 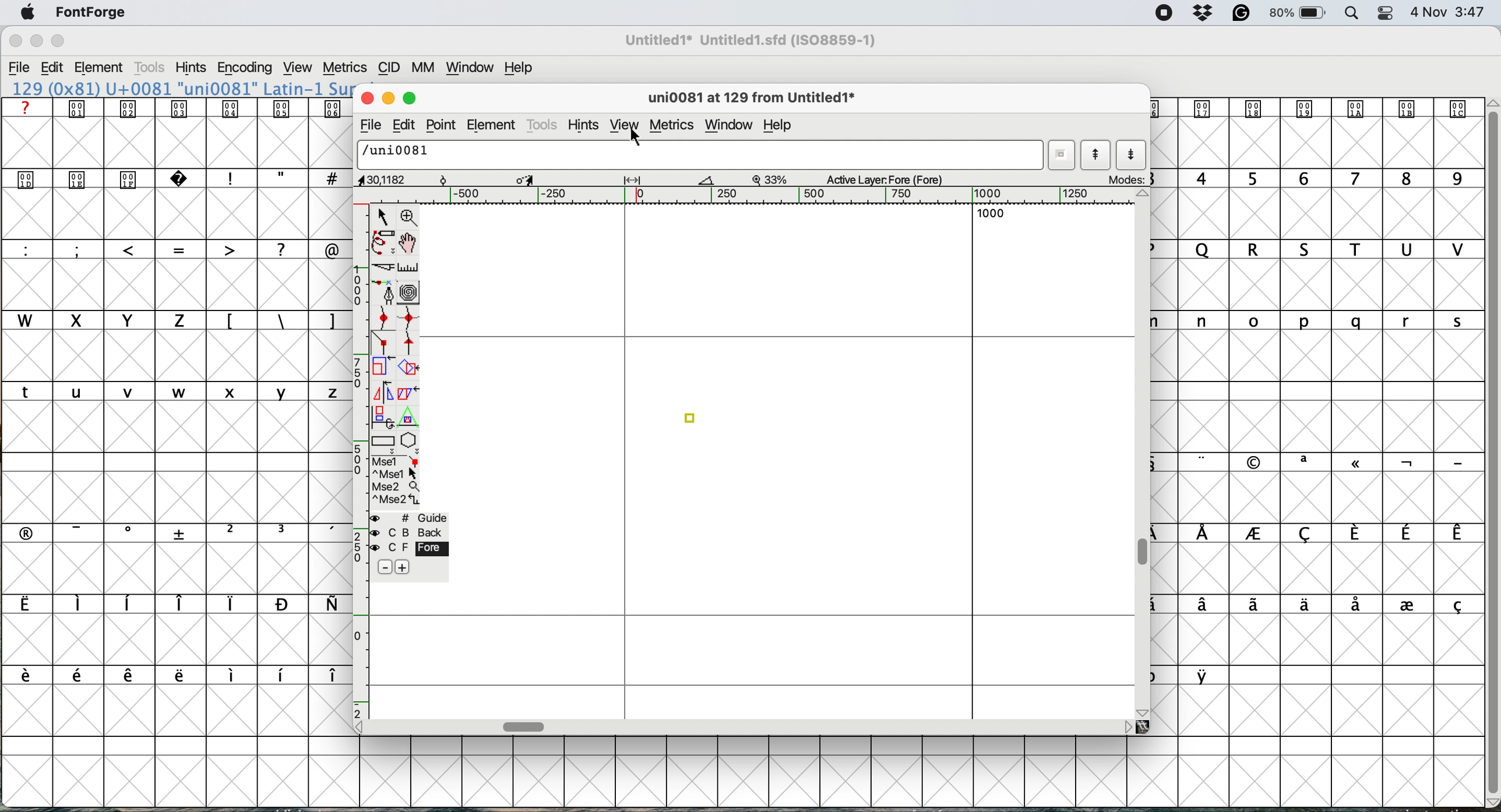 I want to click on /uni0081, so click(x=701, y=156).